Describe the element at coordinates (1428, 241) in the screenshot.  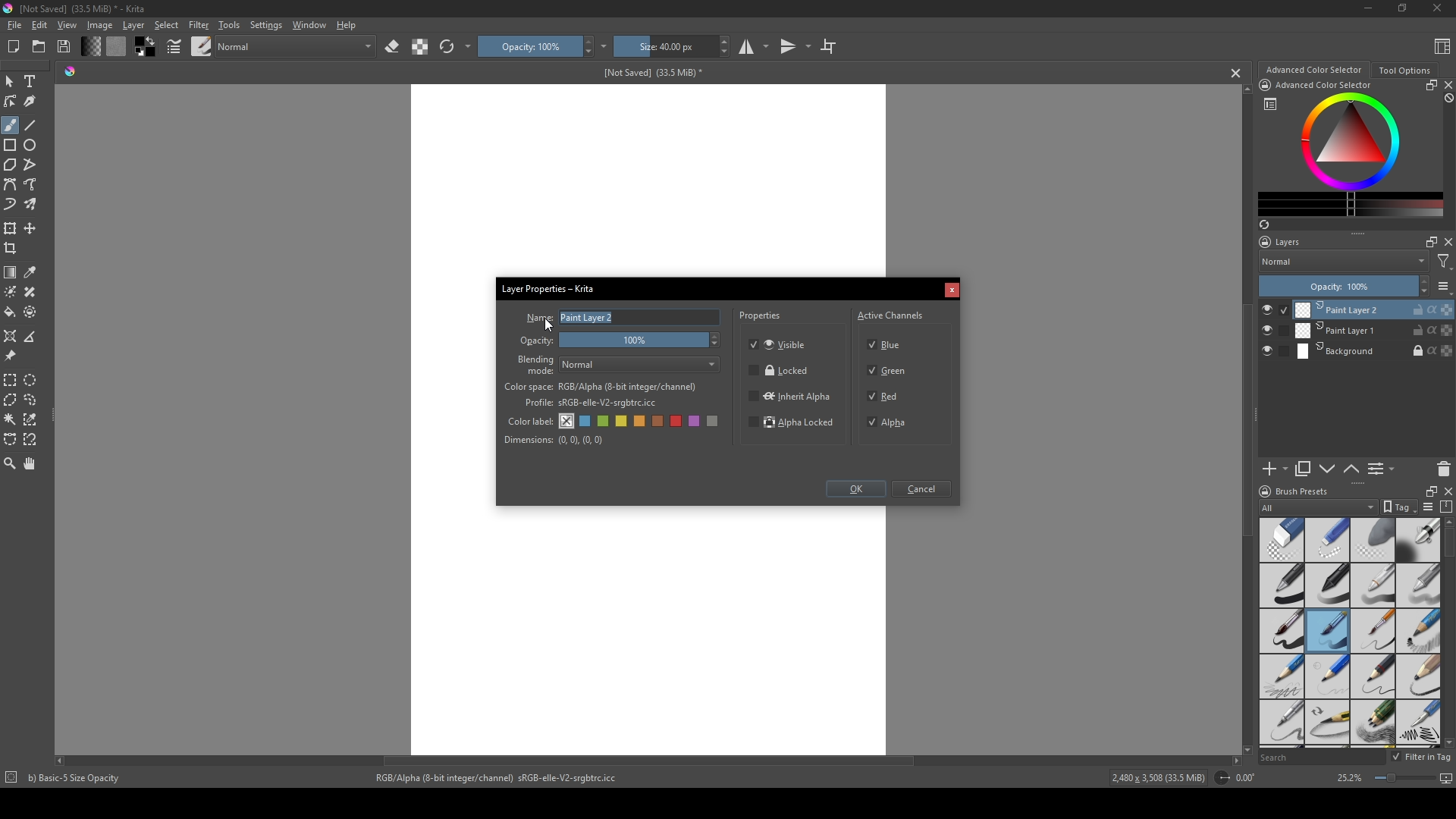
I see `maximize` at that location.